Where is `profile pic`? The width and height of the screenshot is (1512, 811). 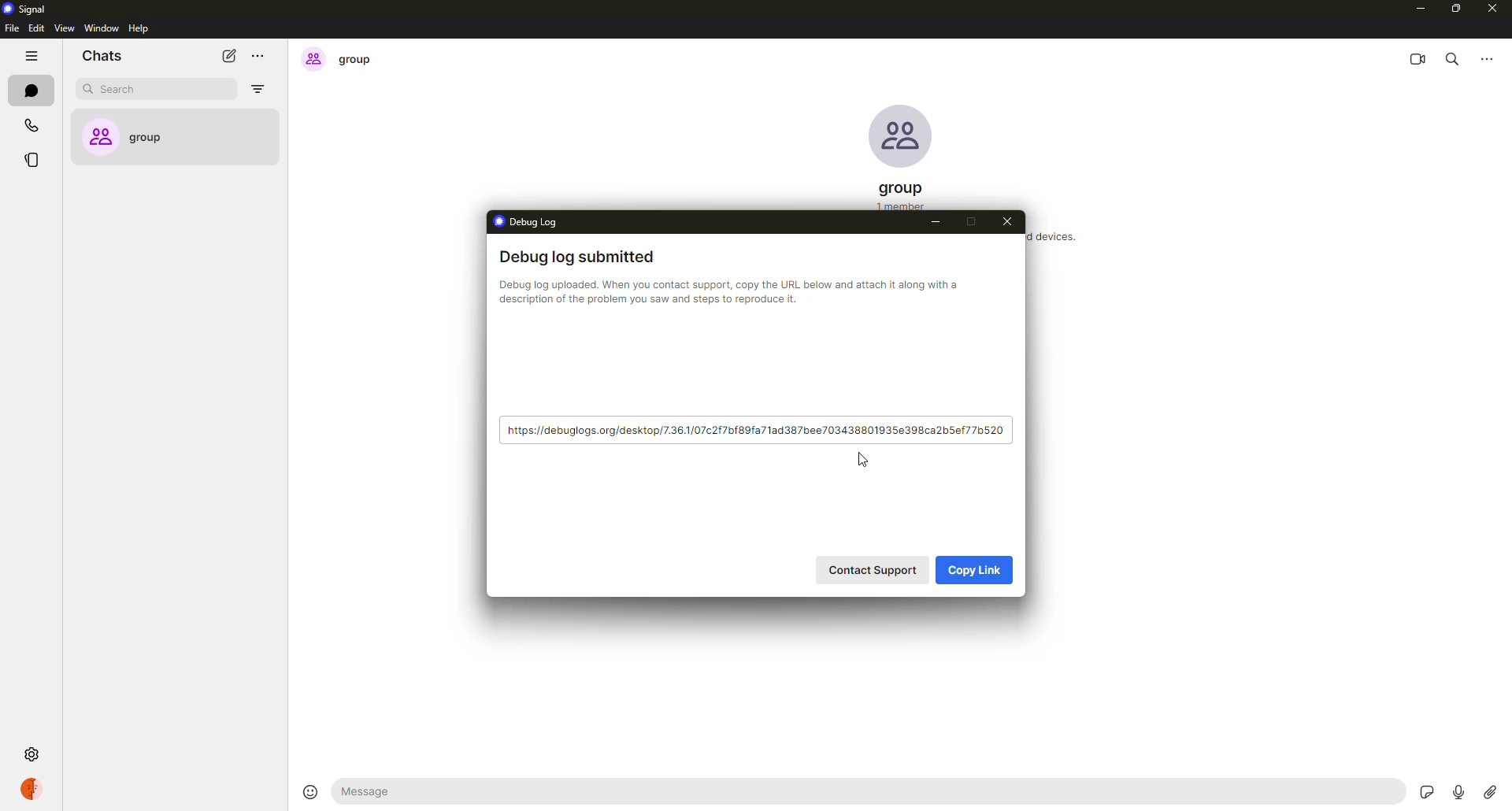
profile pic is located at coordinates (901, 137).